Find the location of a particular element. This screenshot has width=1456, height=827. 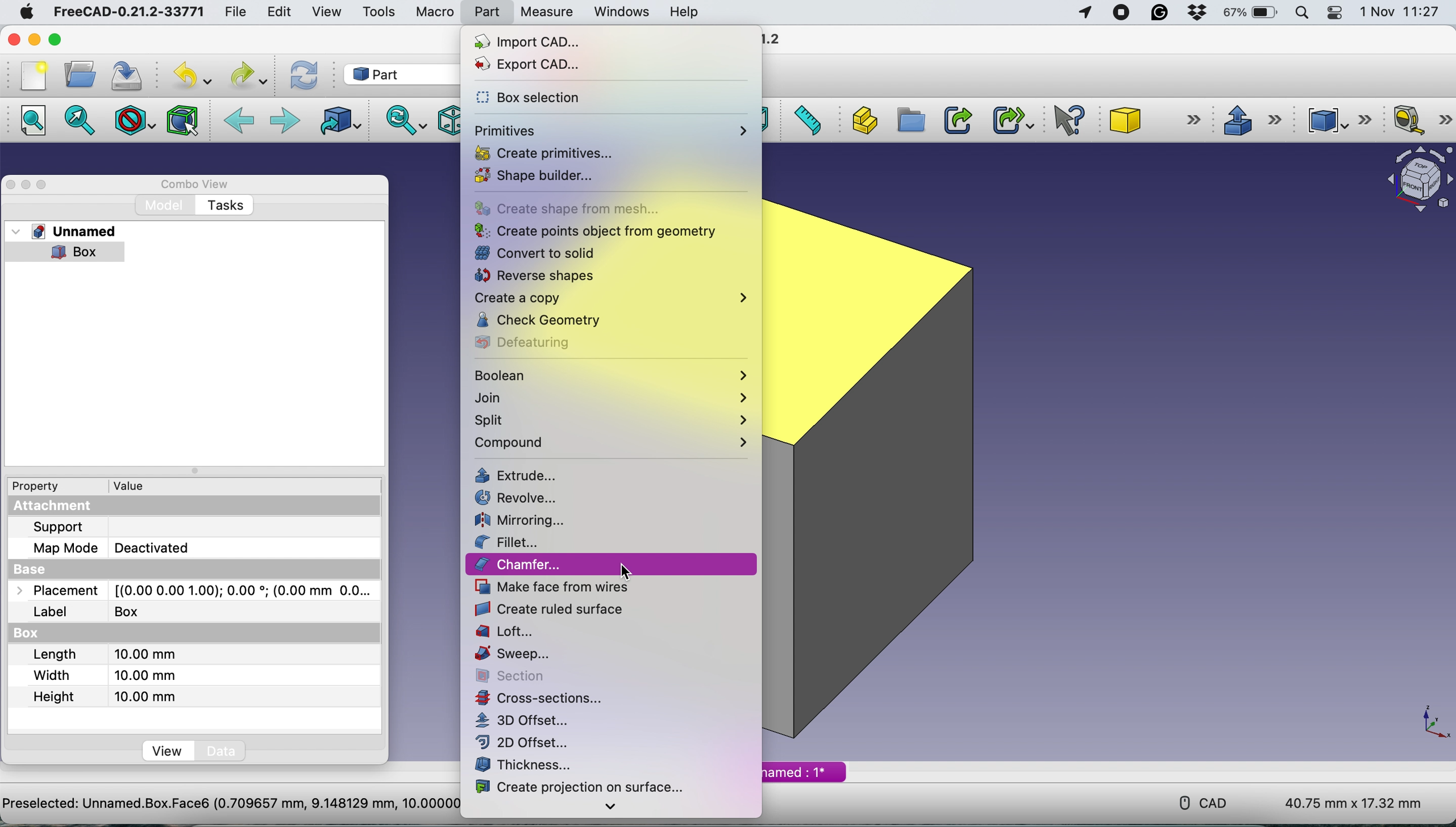

sync view is located at coordinates (401, 122).